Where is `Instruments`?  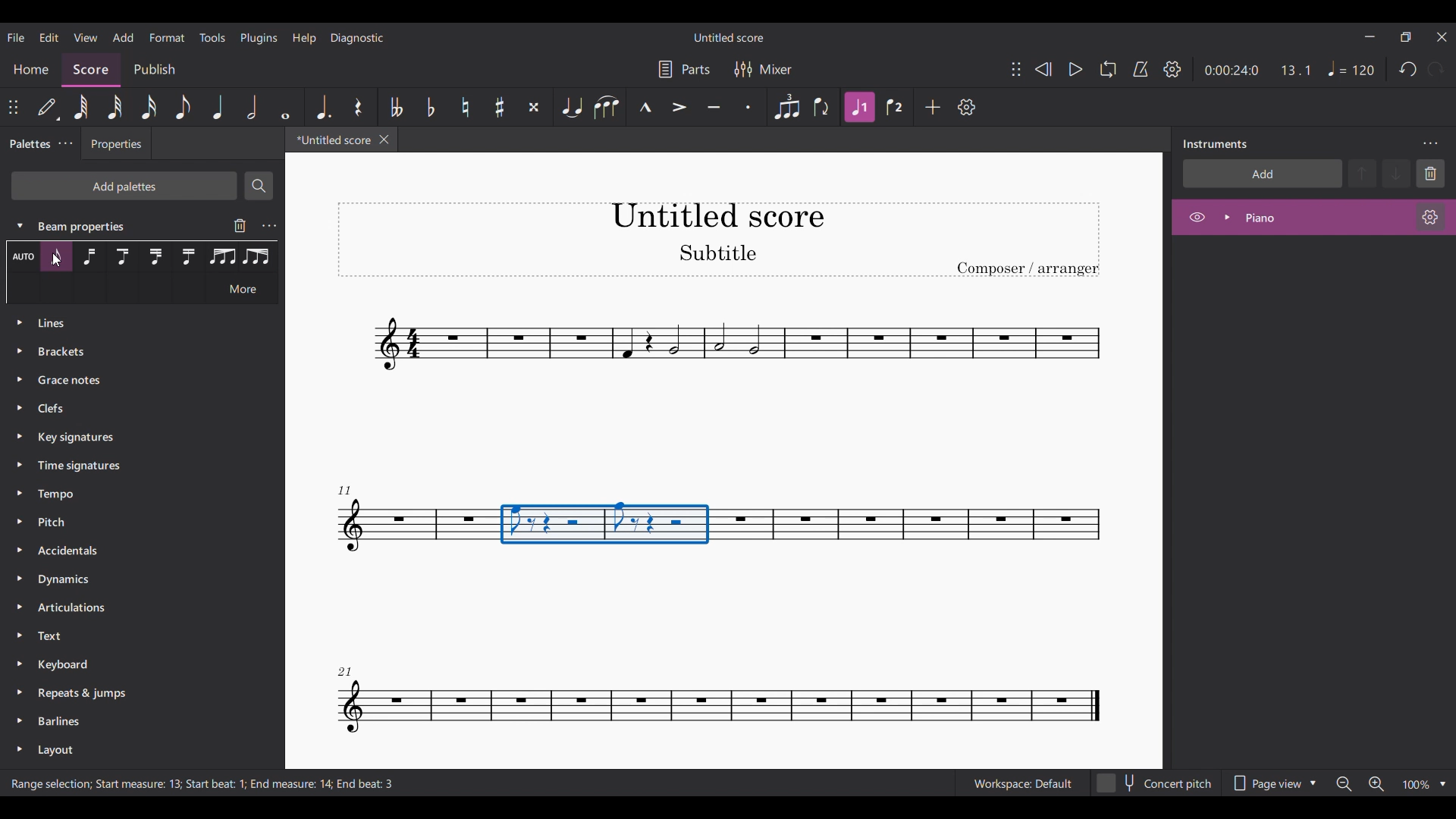
Instruments is located at coordinates (1215, 144).